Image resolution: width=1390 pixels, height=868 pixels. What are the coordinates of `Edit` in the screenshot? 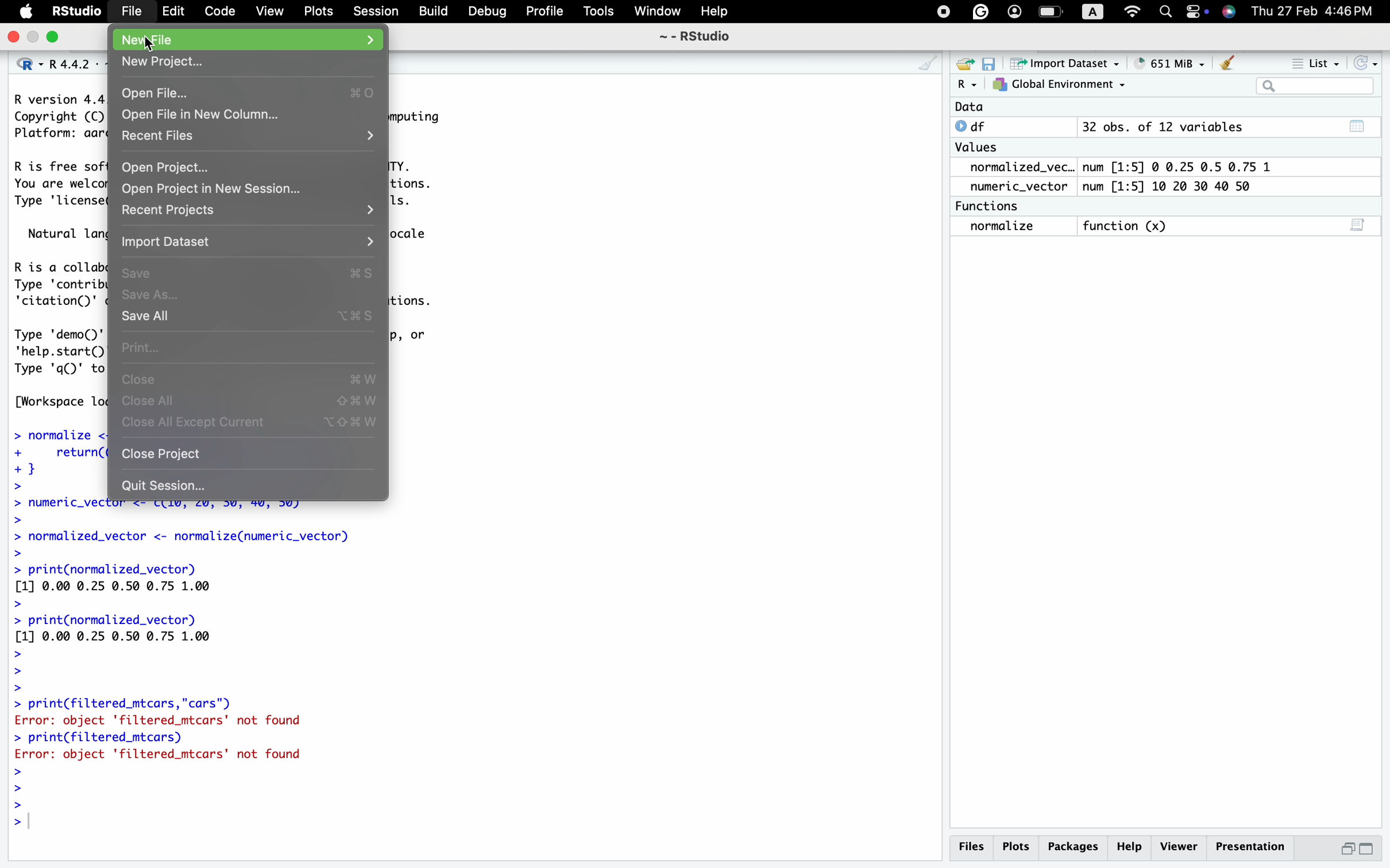 It's located at (170, 13).